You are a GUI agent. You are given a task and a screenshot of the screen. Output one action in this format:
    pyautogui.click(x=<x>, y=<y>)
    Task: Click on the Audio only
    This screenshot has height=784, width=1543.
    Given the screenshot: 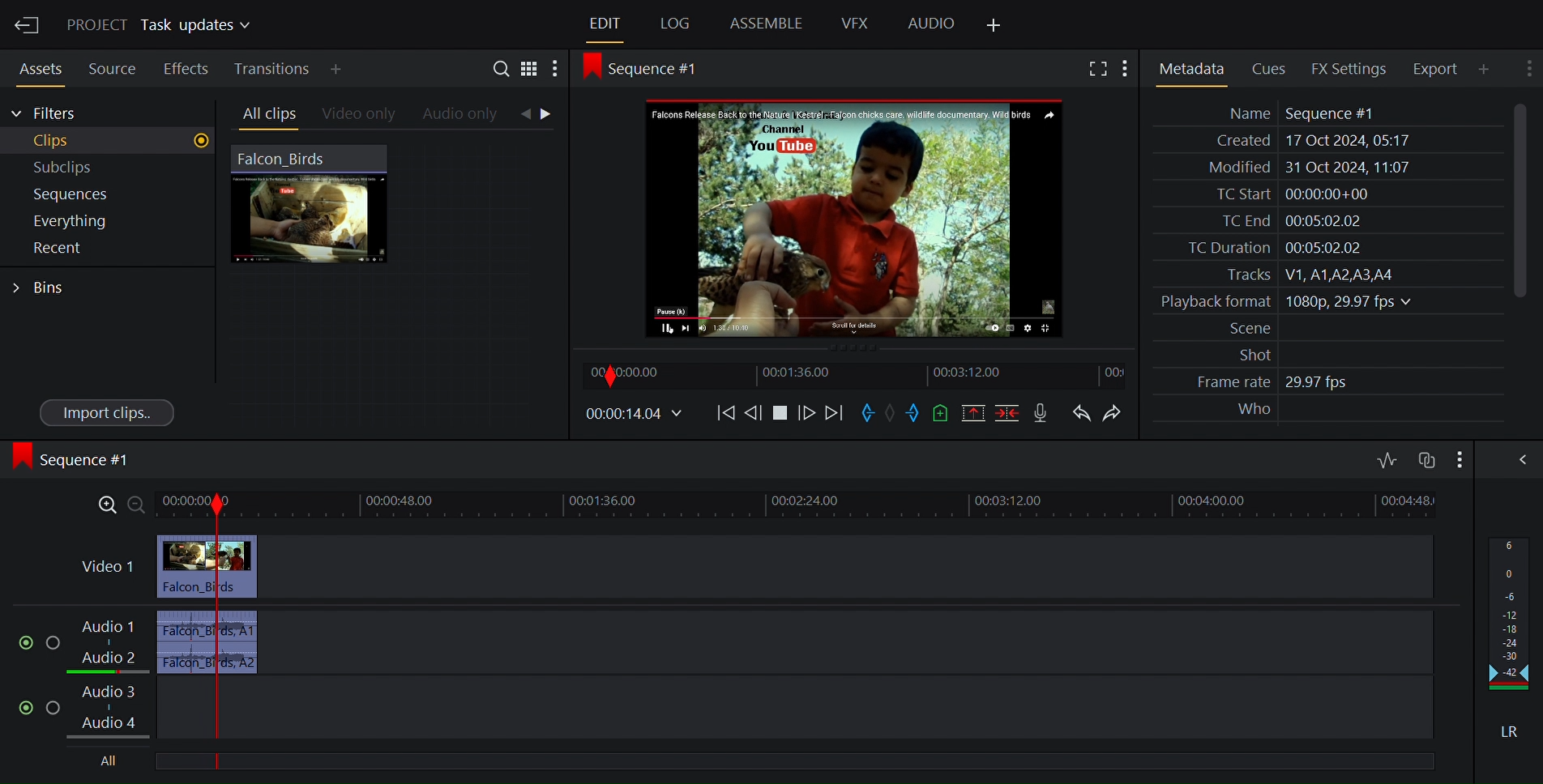 What is the action you would take?
    pyautogui.click(x=464, y=115)
    